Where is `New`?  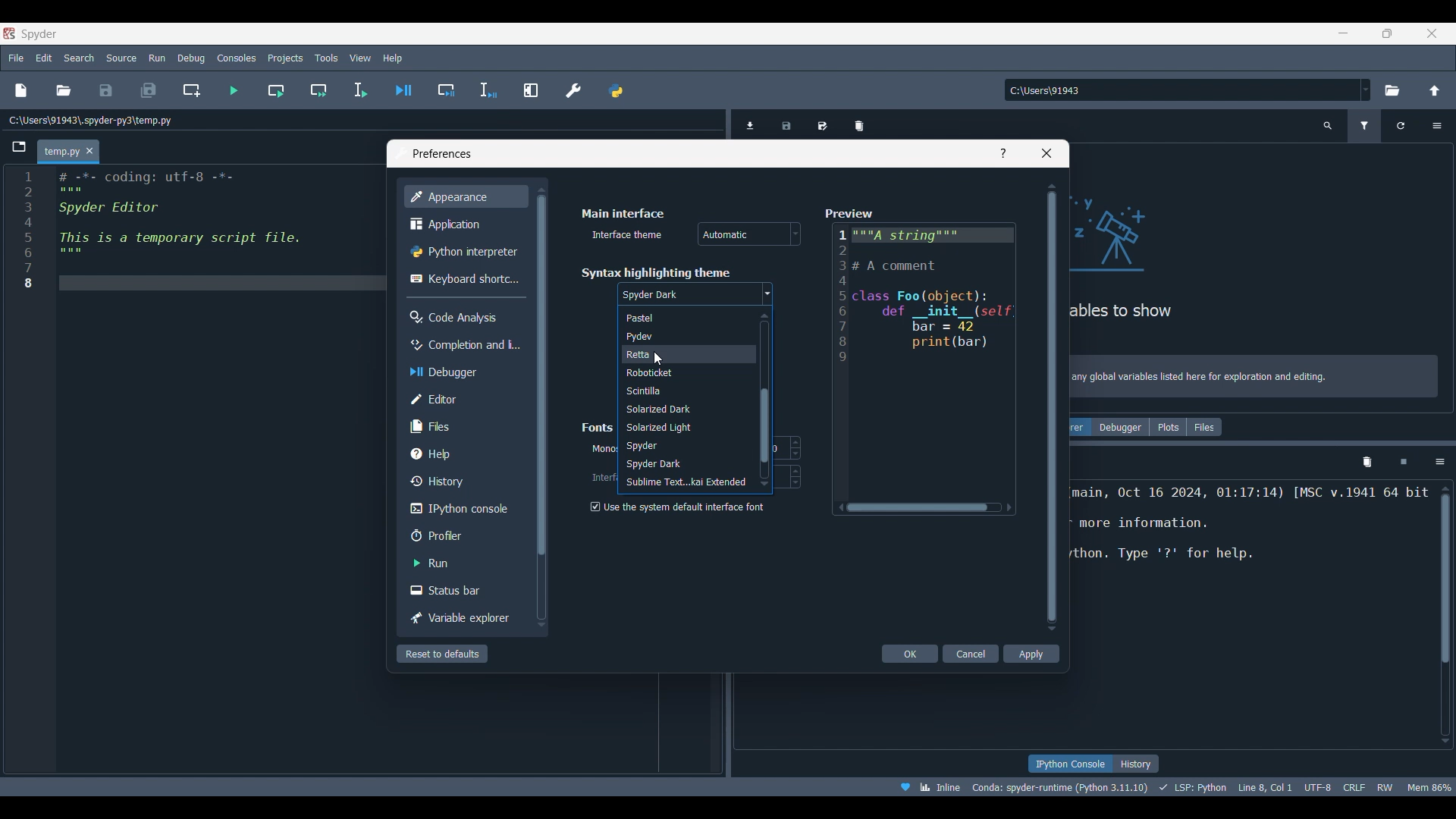 New is located at coordinates (20, 90).